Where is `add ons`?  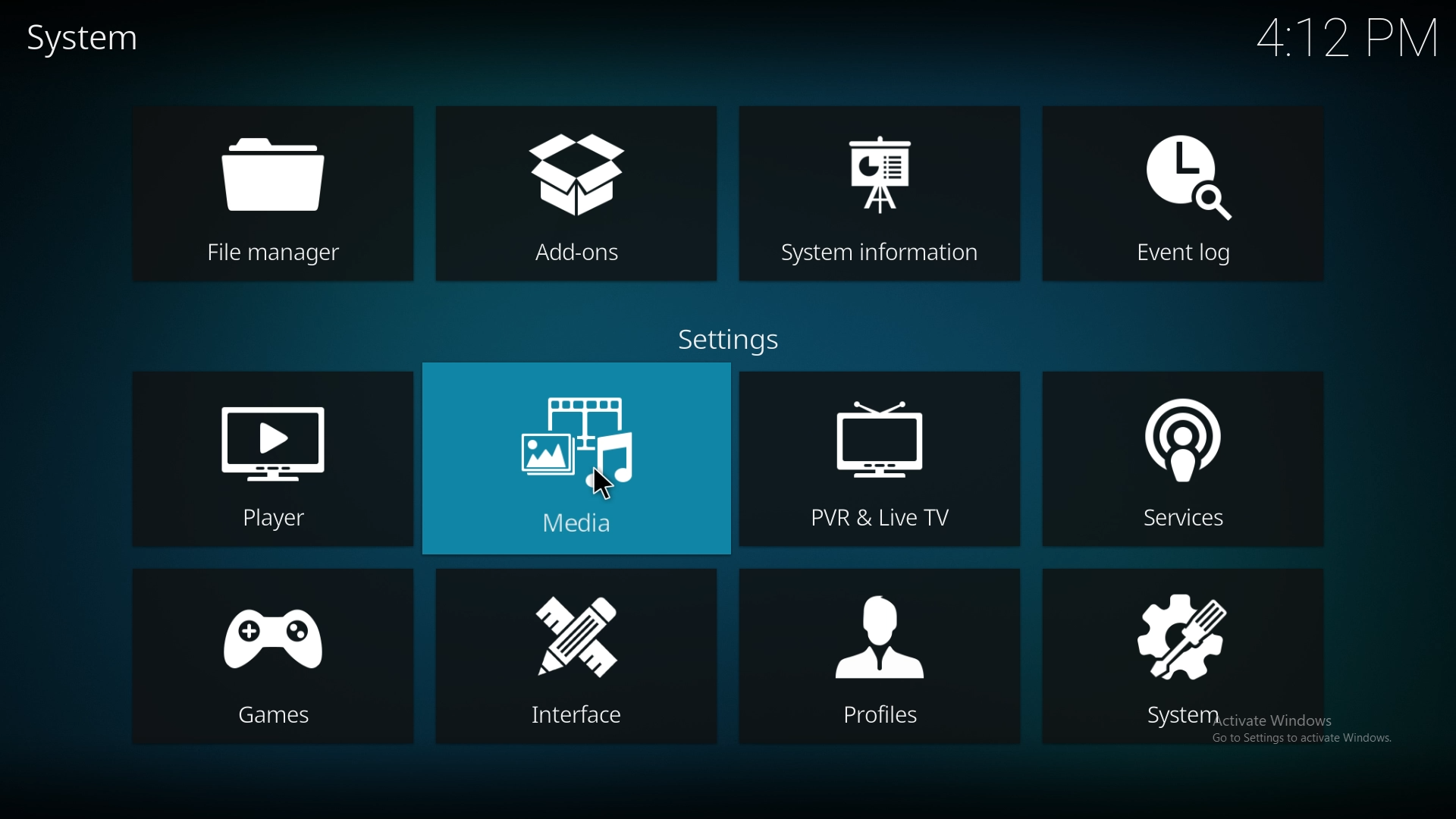
add ons is located at coordinates (574, 193).